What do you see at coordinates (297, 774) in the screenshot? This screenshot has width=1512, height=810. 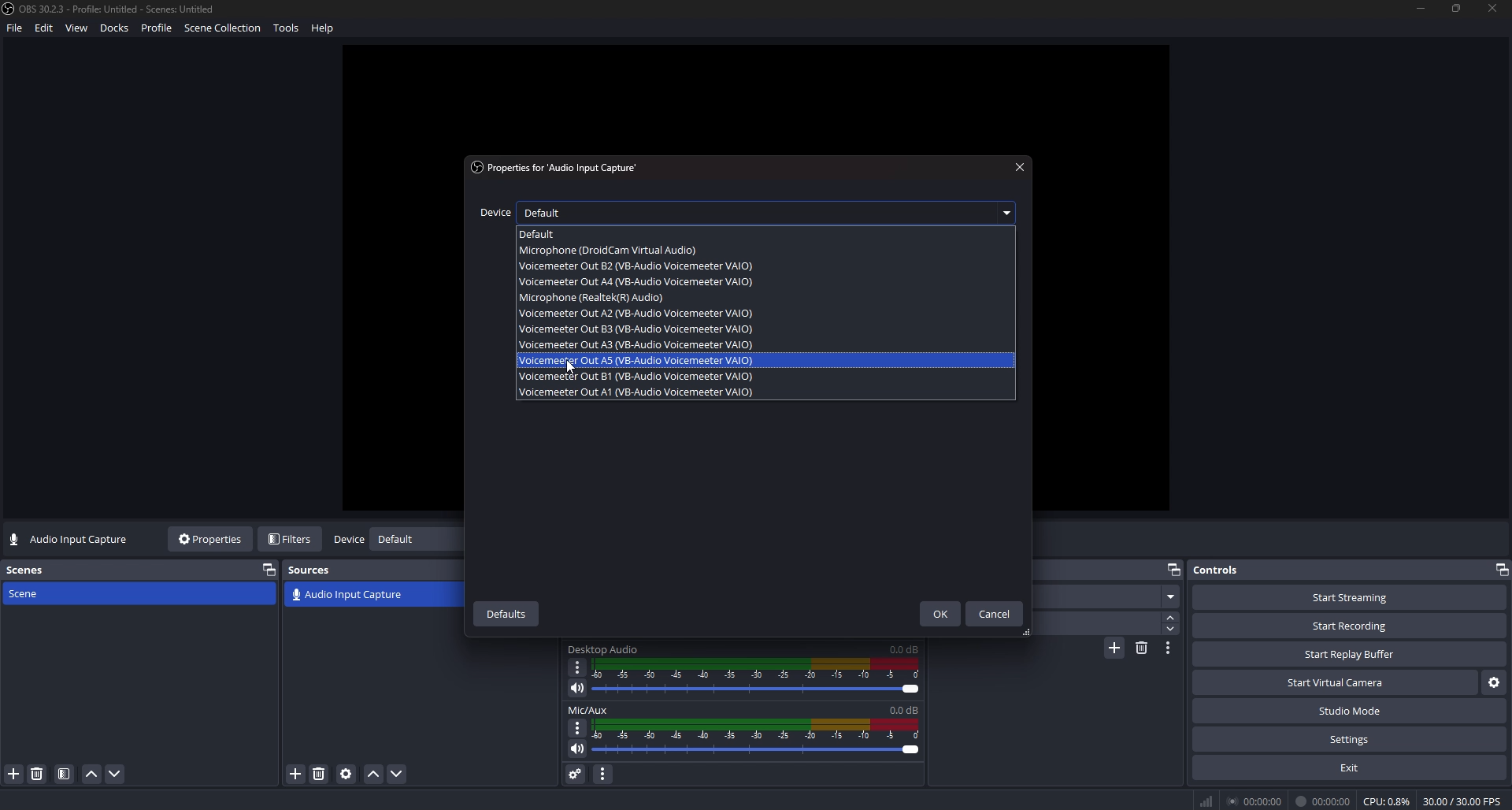 I see `add source` at bounding box center [297, 774].